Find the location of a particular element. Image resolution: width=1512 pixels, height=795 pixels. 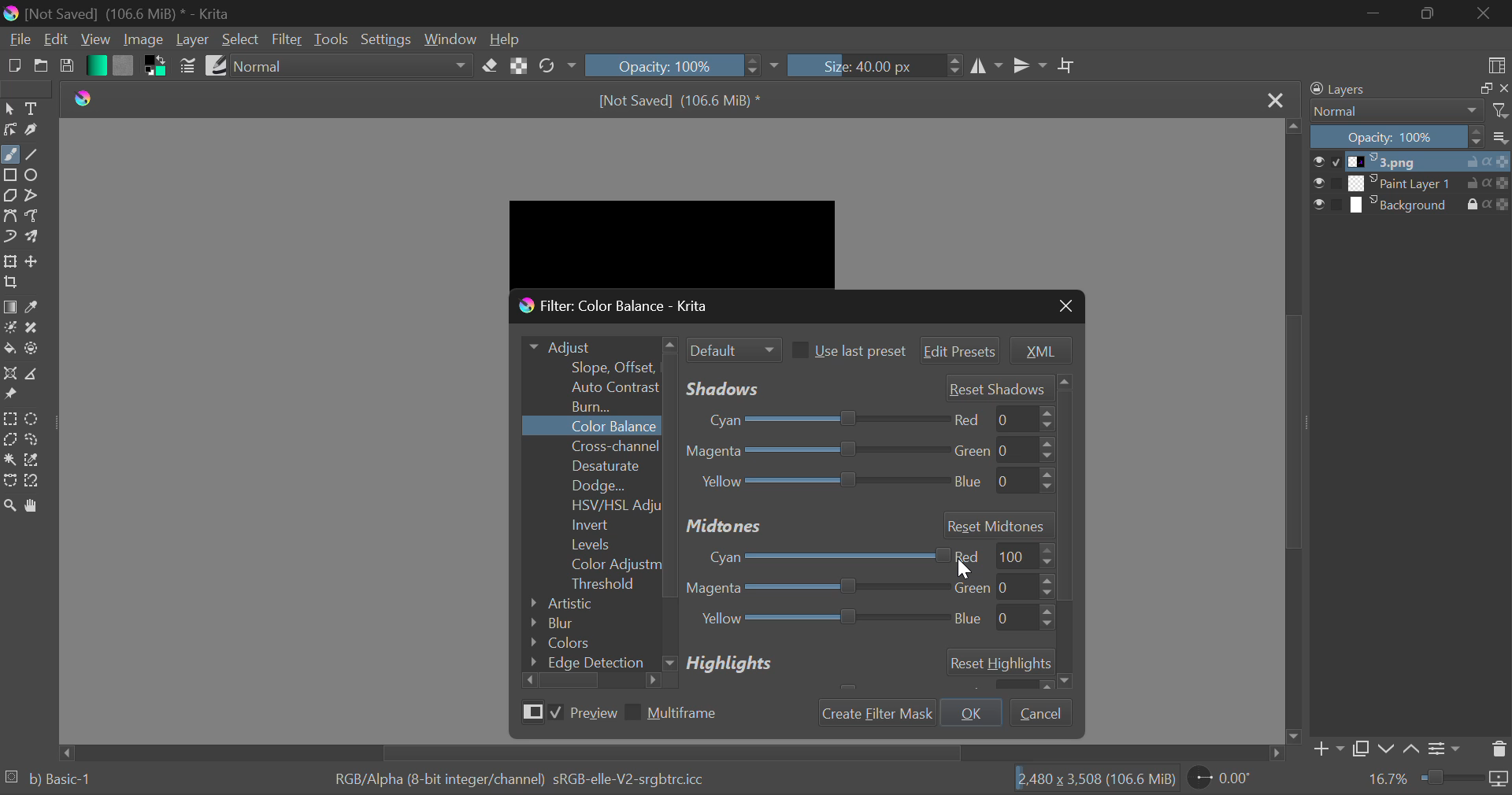

Eyedropper is located at coordinates (36, 308).